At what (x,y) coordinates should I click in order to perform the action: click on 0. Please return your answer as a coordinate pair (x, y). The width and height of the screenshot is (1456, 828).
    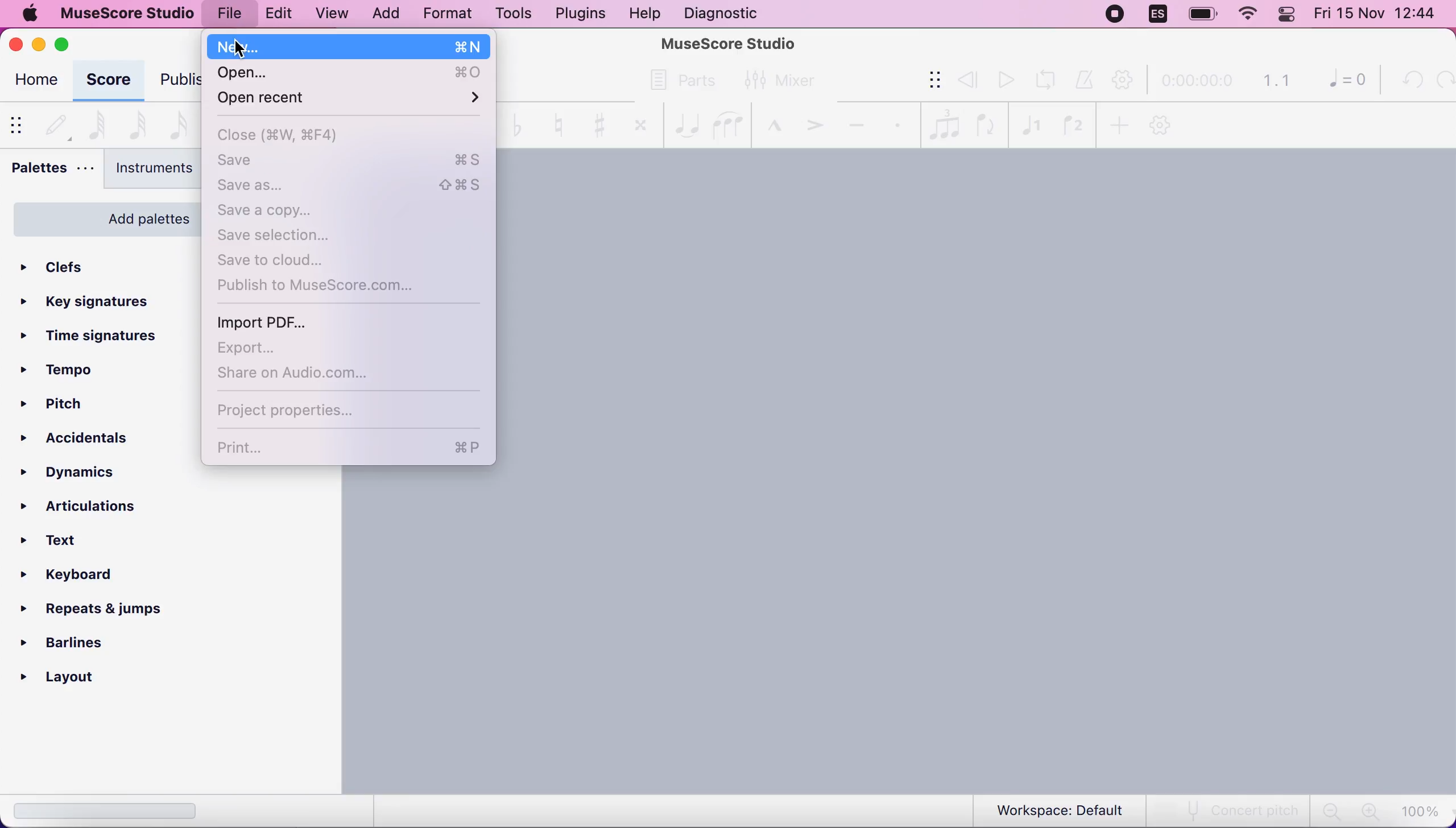
    Looking at the image, I should click on (1342, 82).